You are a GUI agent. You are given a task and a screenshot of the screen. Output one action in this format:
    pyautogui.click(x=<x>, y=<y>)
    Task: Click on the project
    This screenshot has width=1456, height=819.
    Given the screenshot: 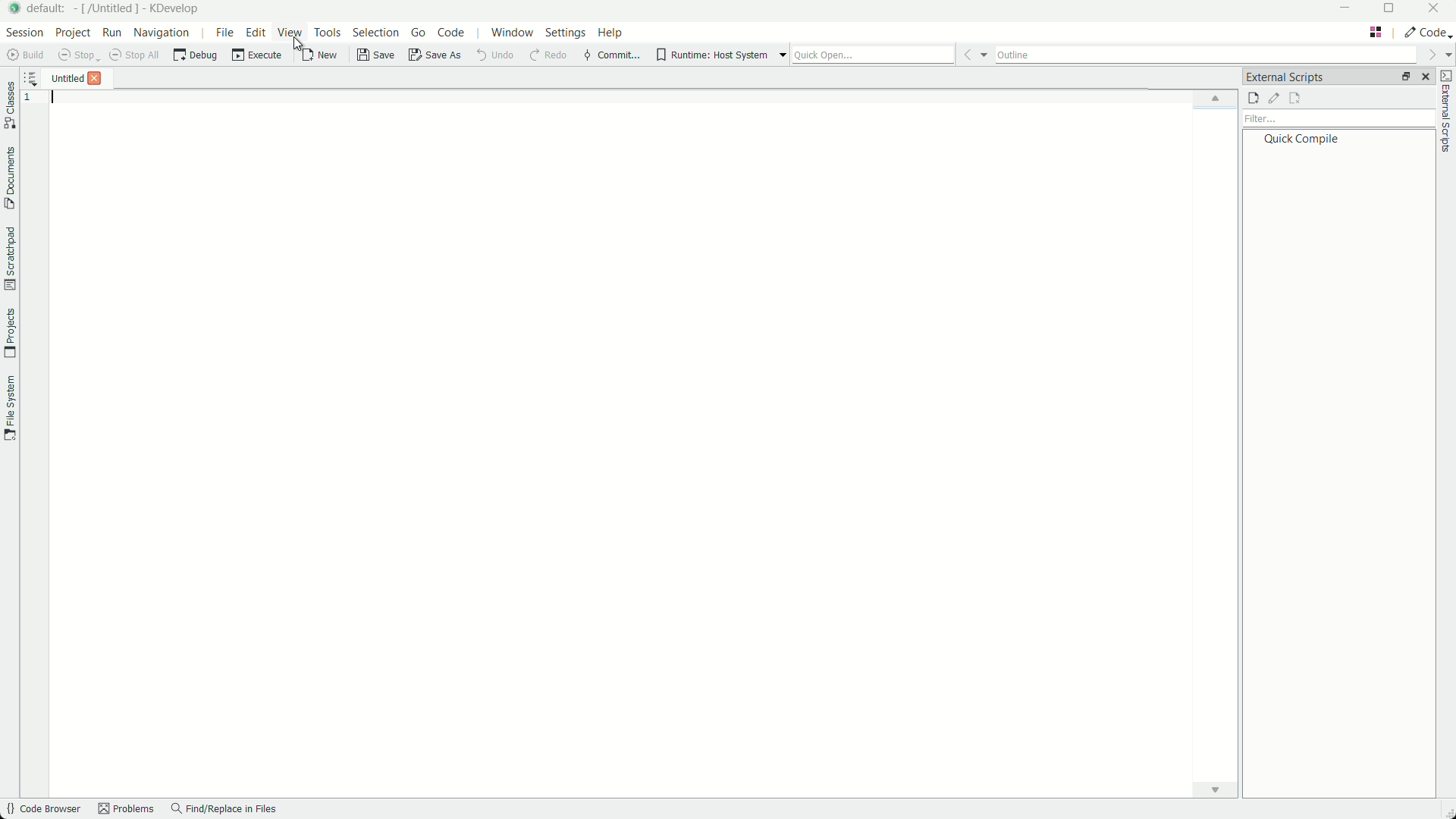 What is the action you would take?
    pyautogui.click(x=71, y=35)
    